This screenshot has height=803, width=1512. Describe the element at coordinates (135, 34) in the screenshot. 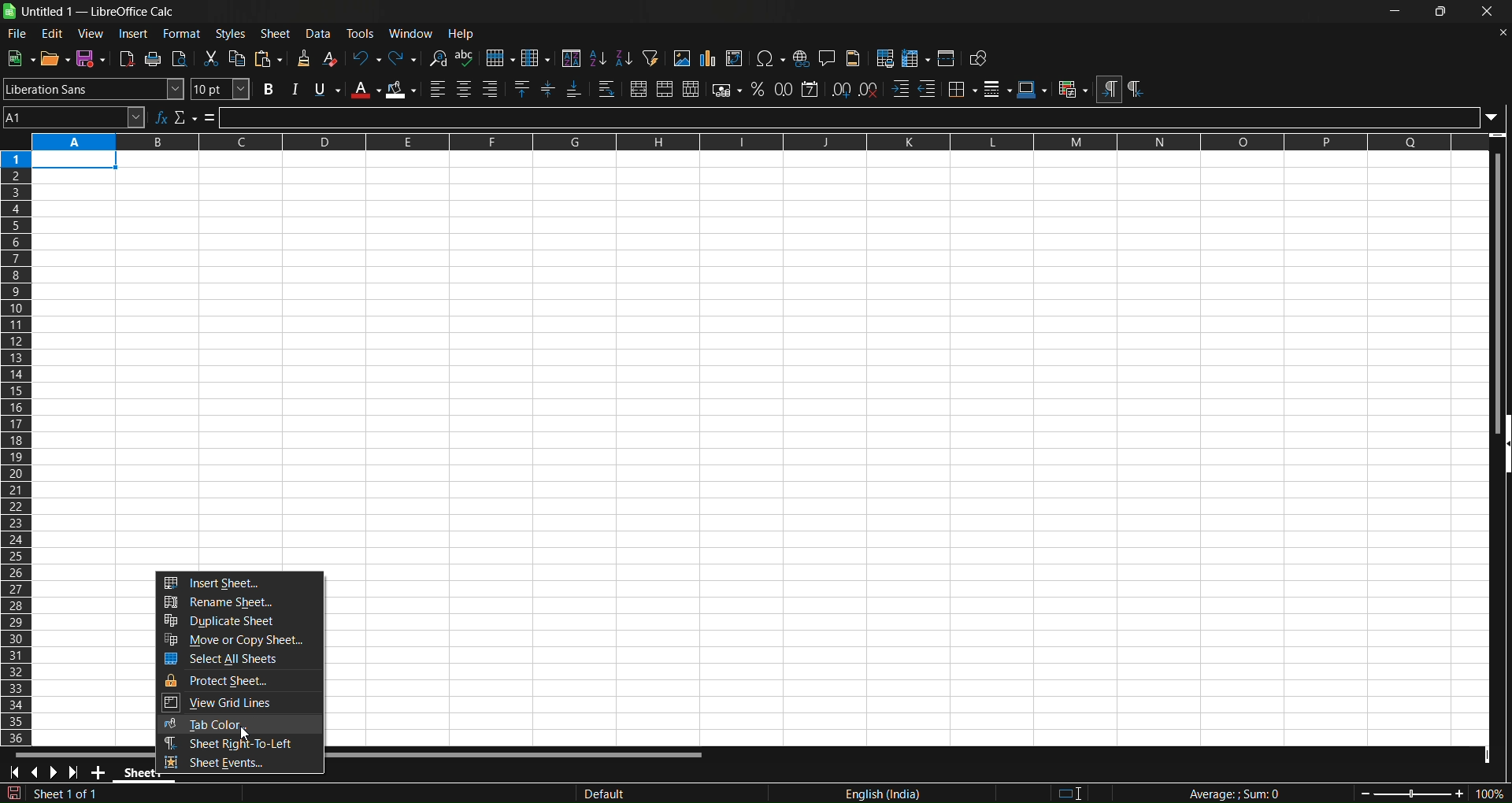

I see `insert` at that location.